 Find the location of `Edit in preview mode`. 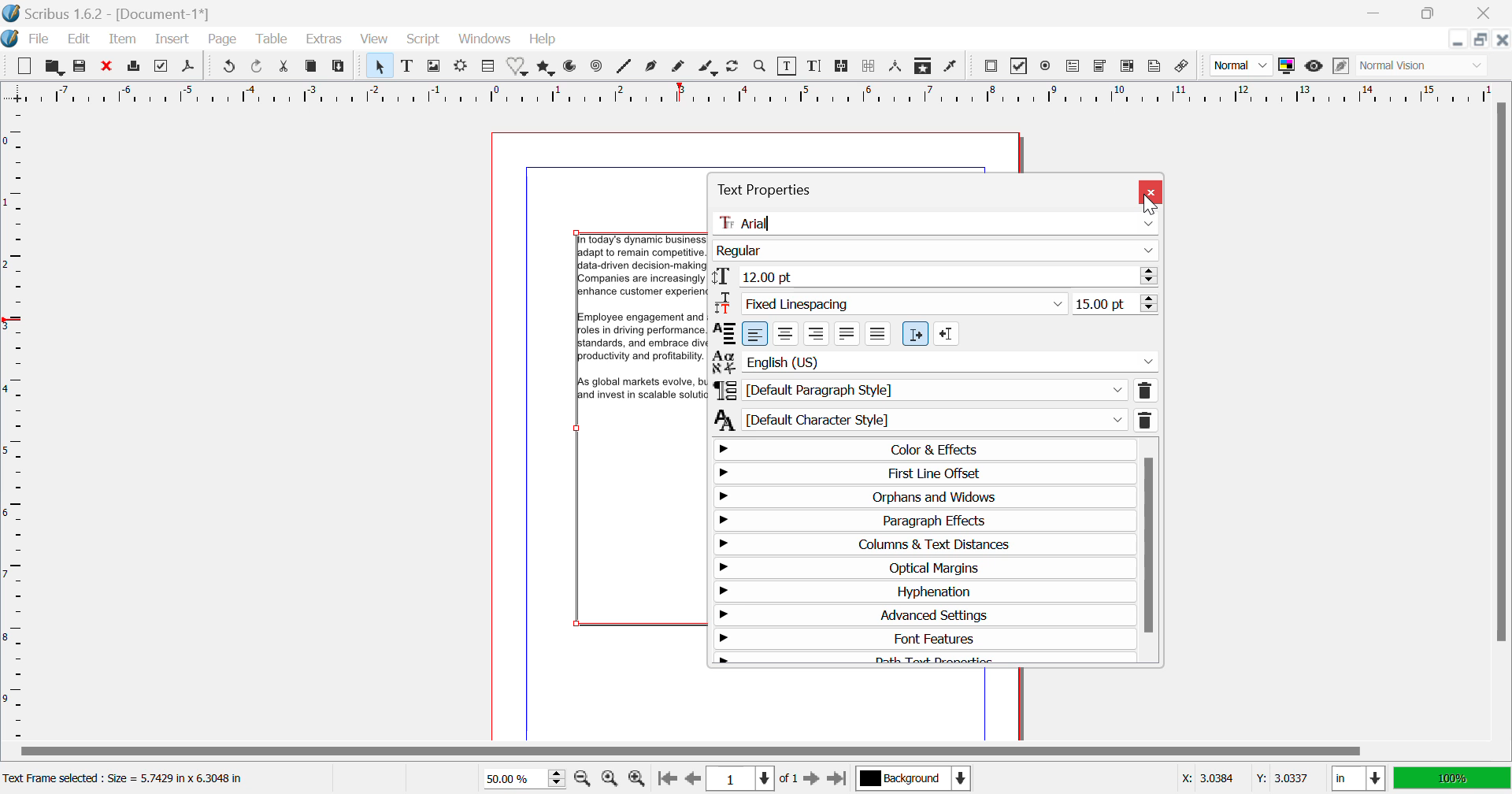

Edit in preview mode is located at coordinates (1339, 66).